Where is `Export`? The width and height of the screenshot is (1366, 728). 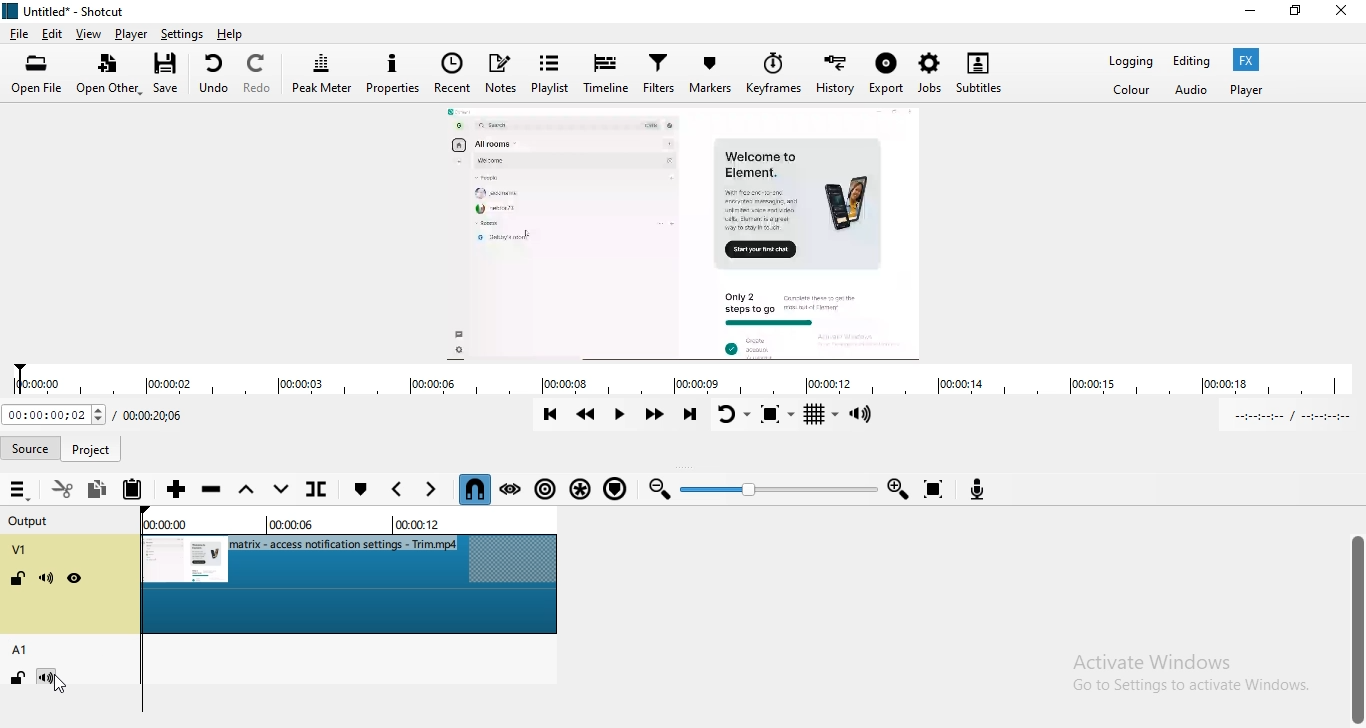
Export is located at coordinates (885, 75).